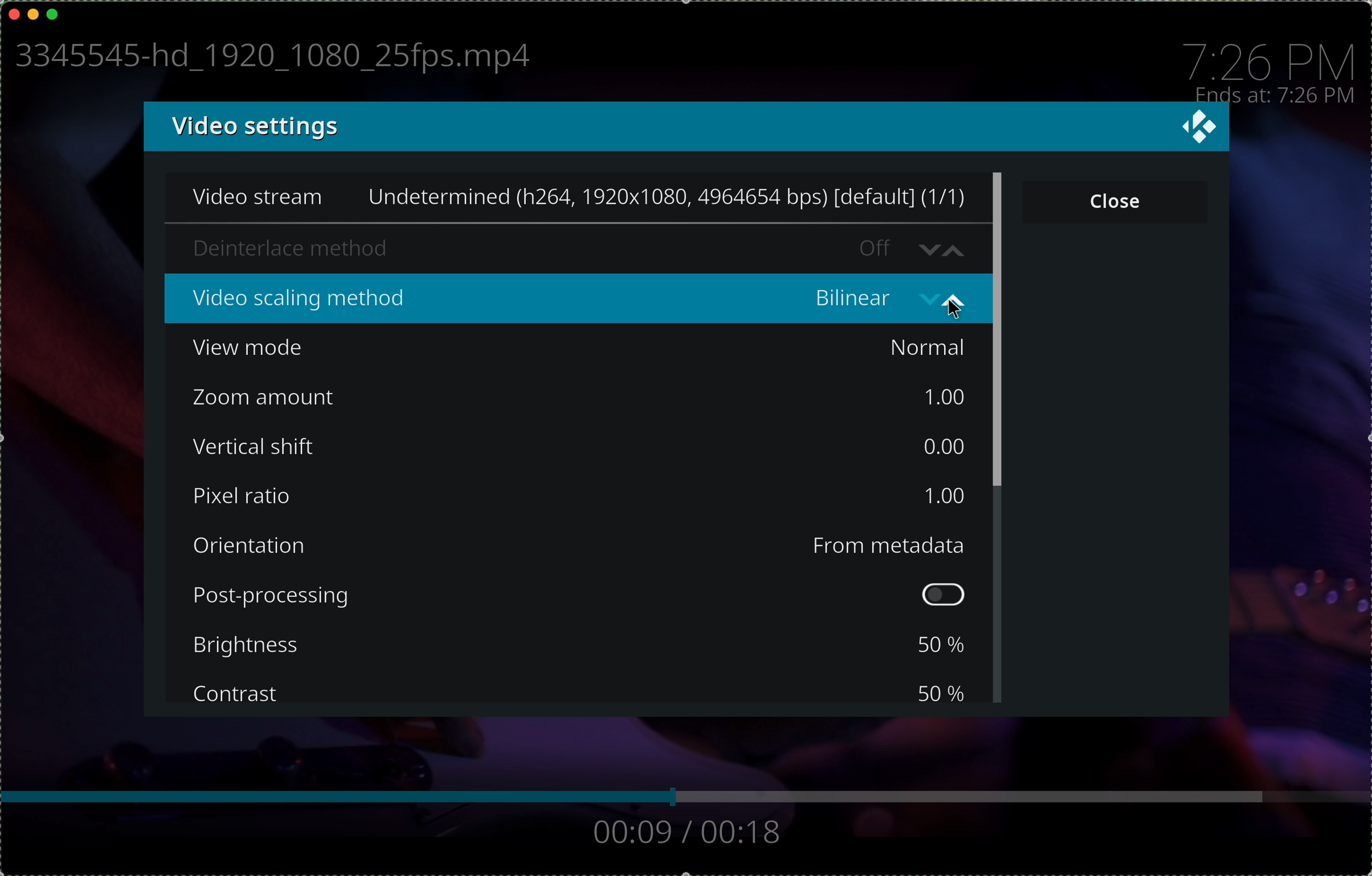  I want to click on close, so click(14, 12).